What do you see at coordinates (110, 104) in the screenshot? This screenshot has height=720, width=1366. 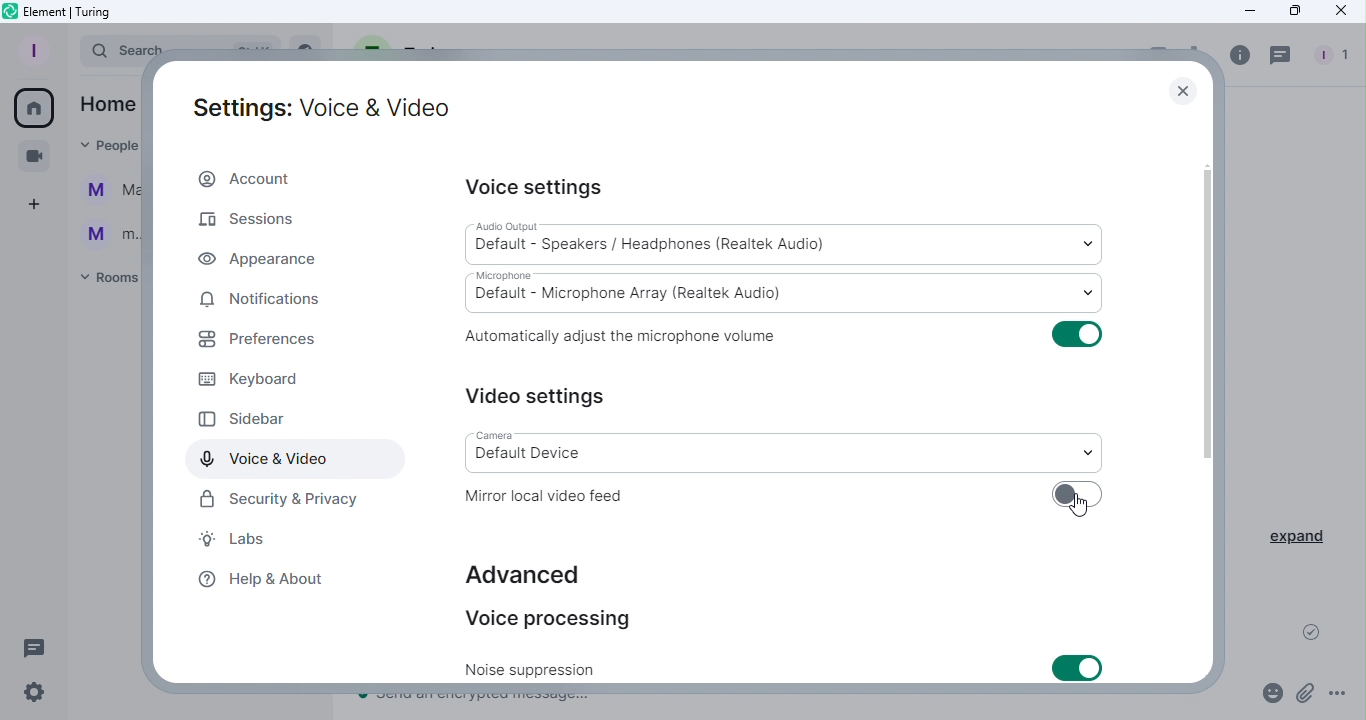 I see `Home` at bounding box center [110, 104].